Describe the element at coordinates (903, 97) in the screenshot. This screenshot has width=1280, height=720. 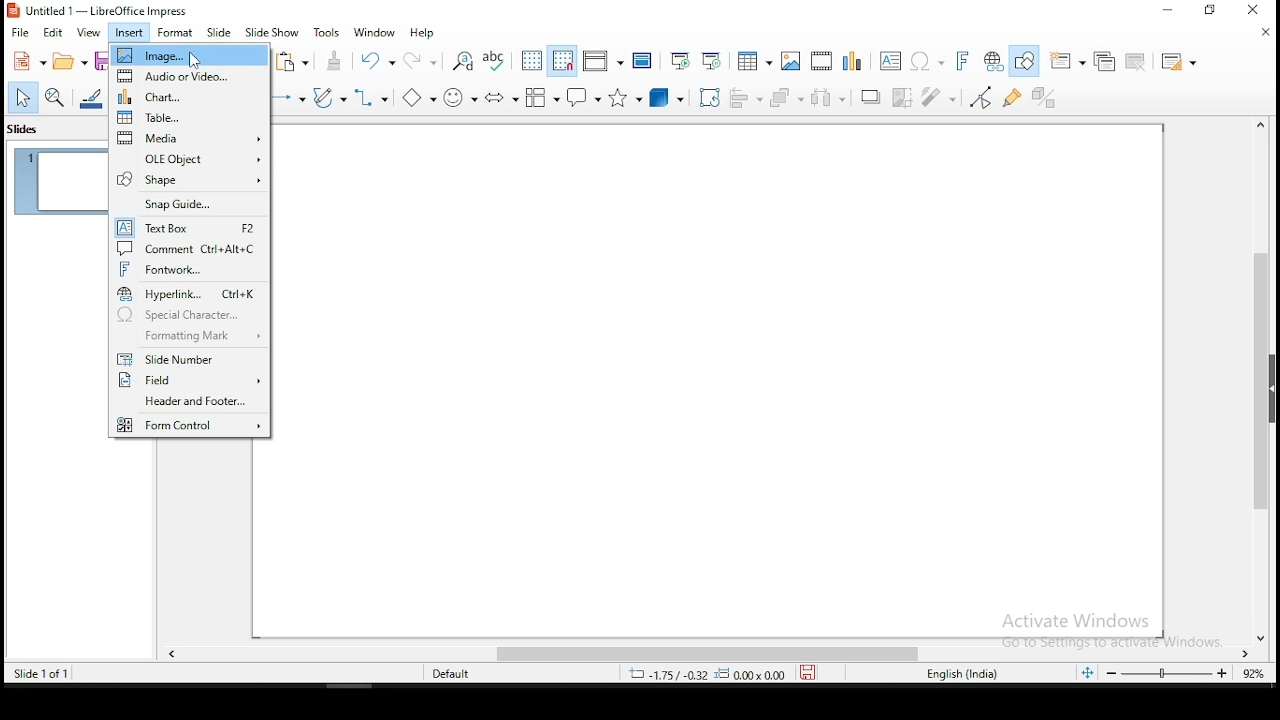
I see `shadow` at that location.